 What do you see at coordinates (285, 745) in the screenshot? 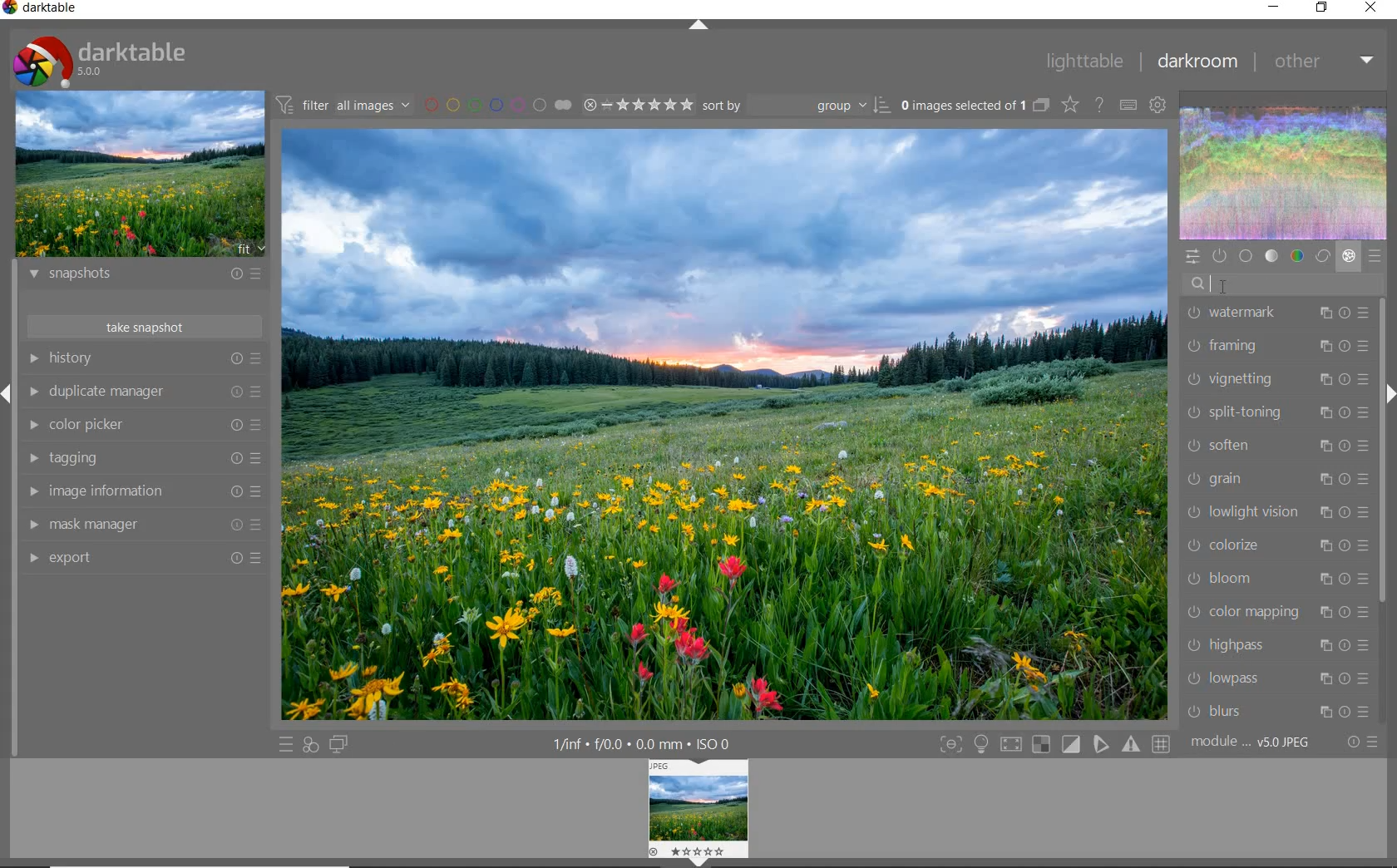
I see `quick access to presets` at bounding box center [285, 745].